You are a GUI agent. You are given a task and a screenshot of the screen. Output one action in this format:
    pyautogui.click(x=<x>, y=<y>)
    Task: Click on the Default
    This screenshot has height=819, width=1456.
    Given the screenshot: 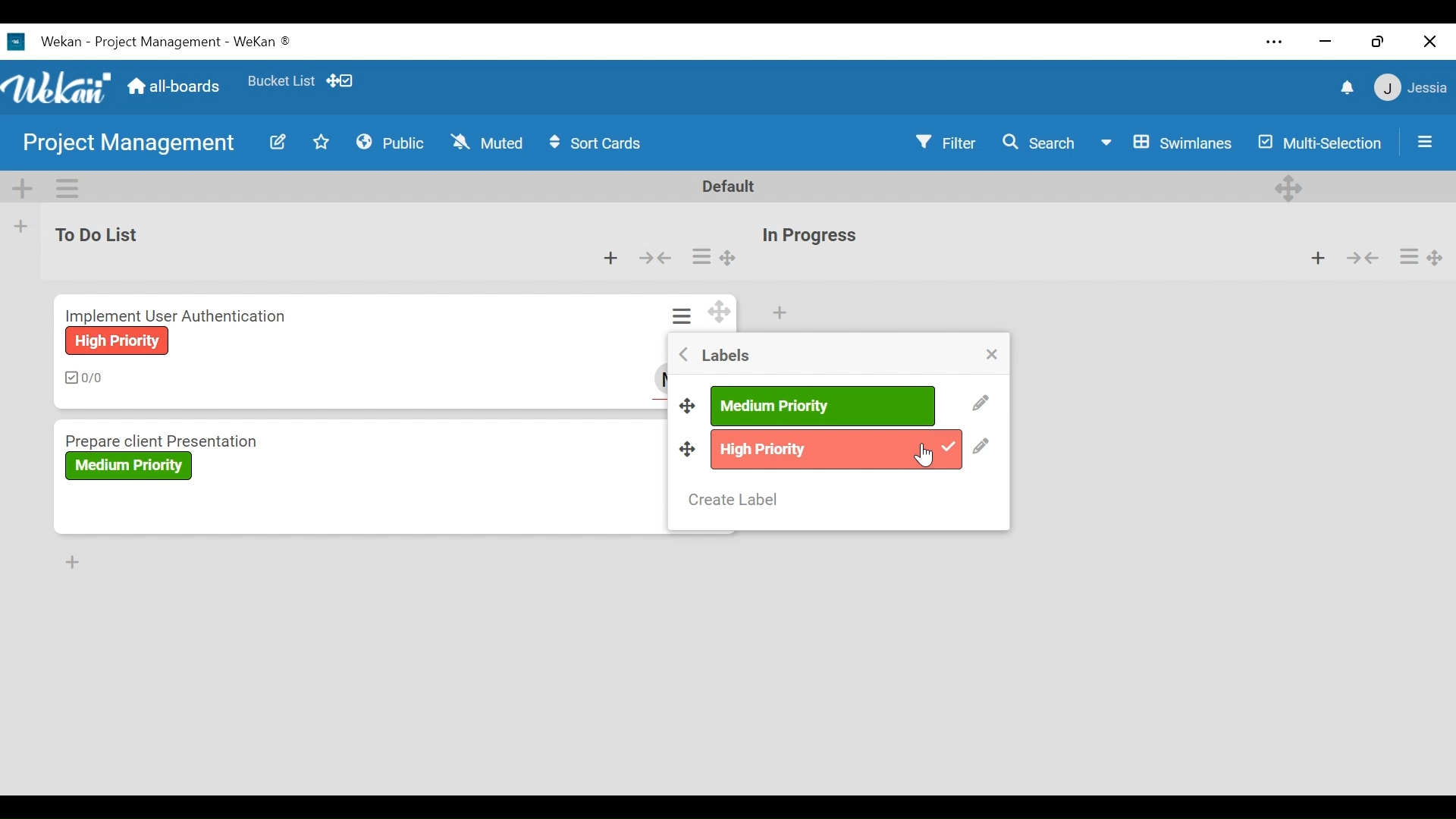 What is the action you would take?
    pyautogui.click(x=731, y=186)
    